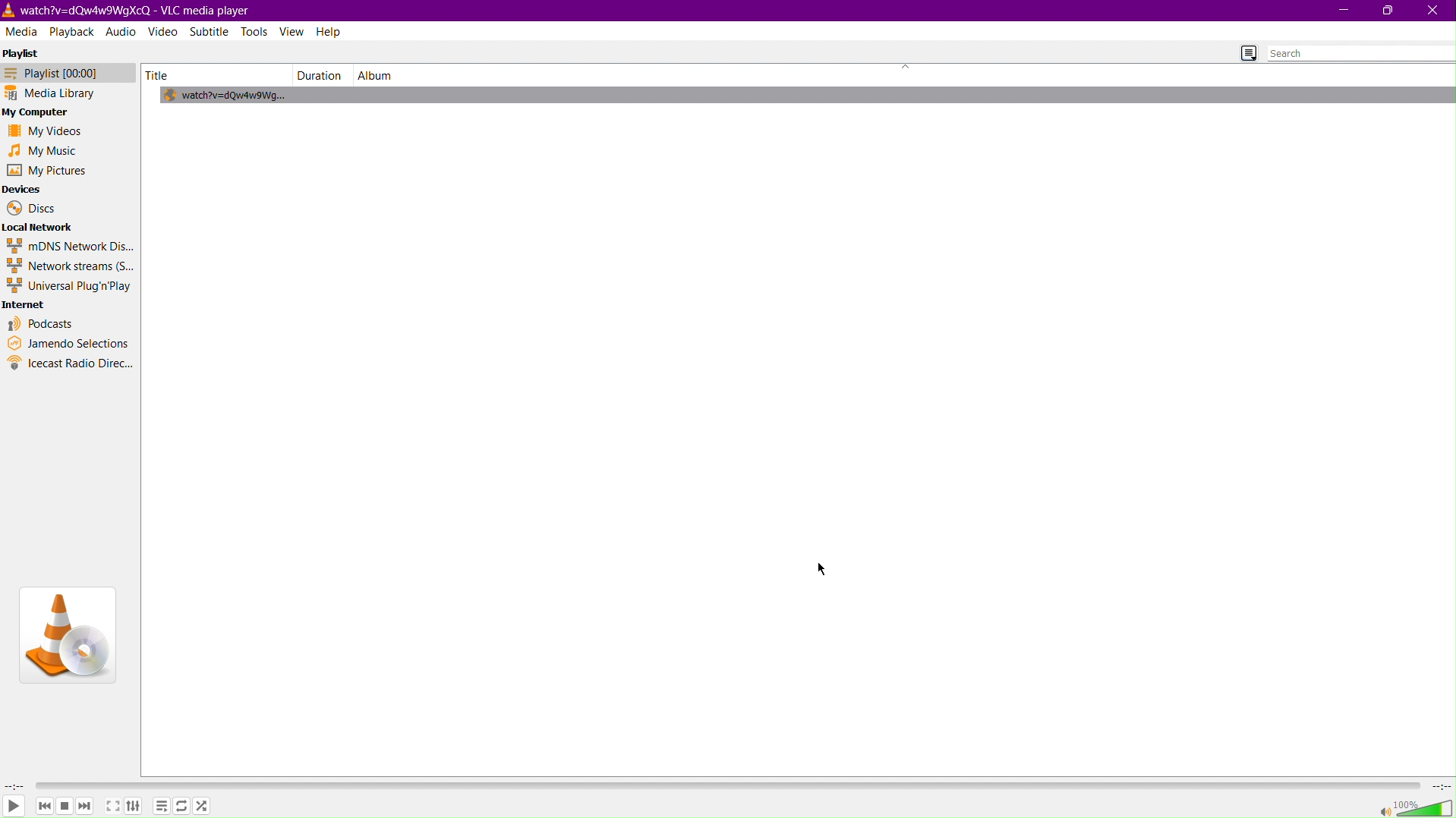  What do you see at coordinates (1439, 786) in the screenshot?
I see `Remaining time` at bounding box center [1439, 786].